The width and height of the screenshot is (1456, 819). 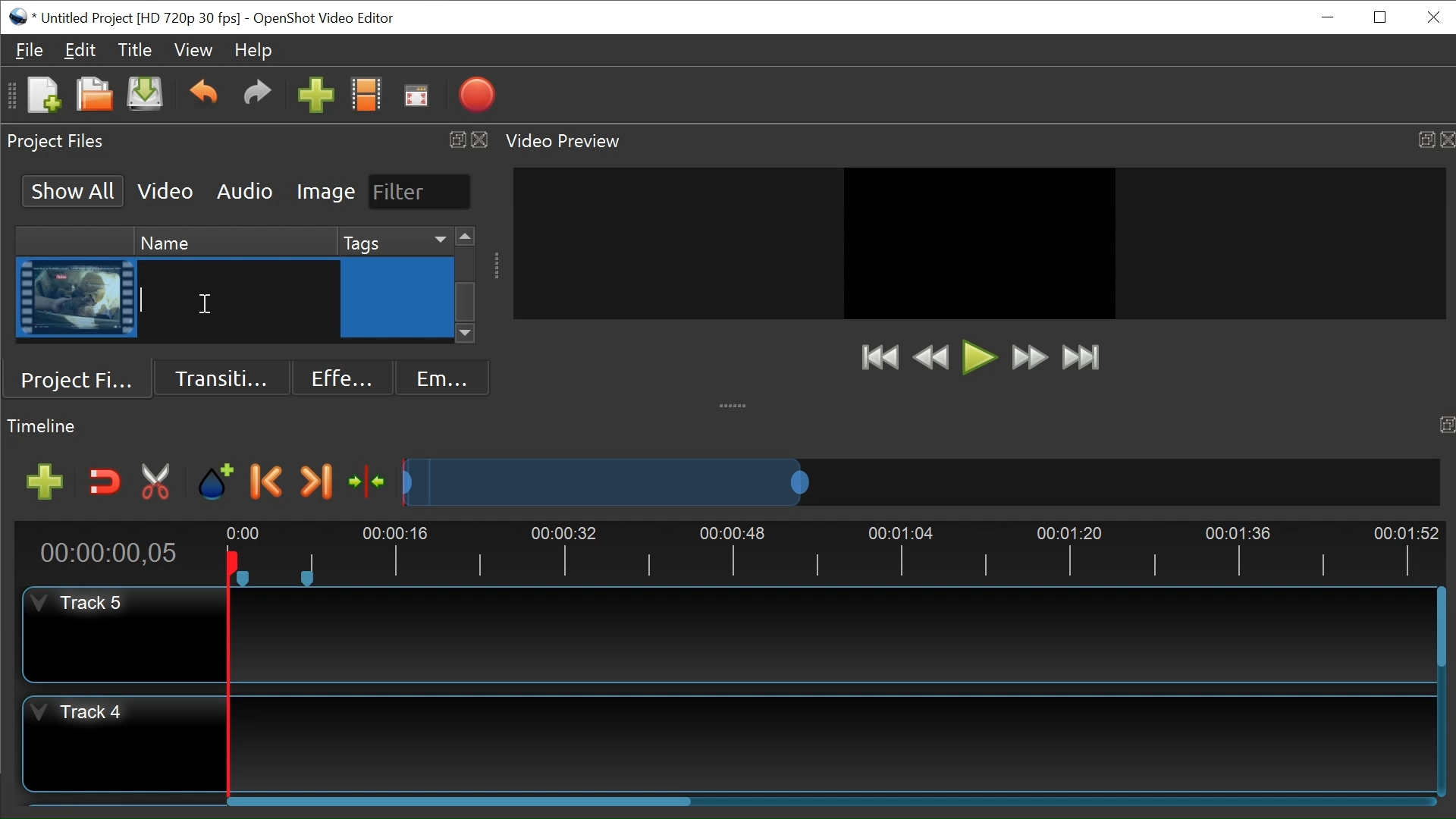 I want to click on Snap, so click(x=102, y=483).